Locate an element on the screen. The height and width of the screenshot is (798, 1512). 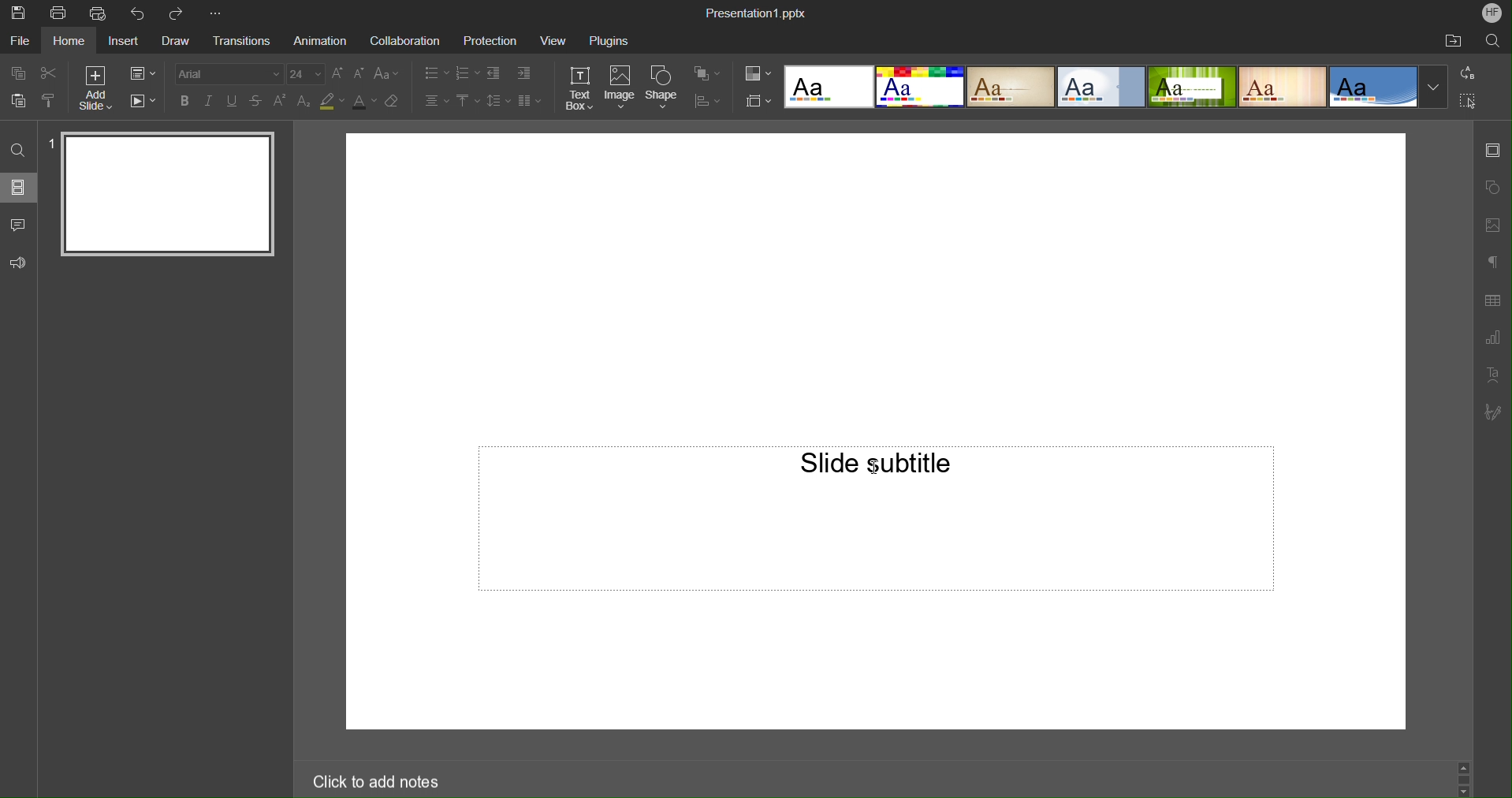
Numbering is located at coordinates (467, 73).